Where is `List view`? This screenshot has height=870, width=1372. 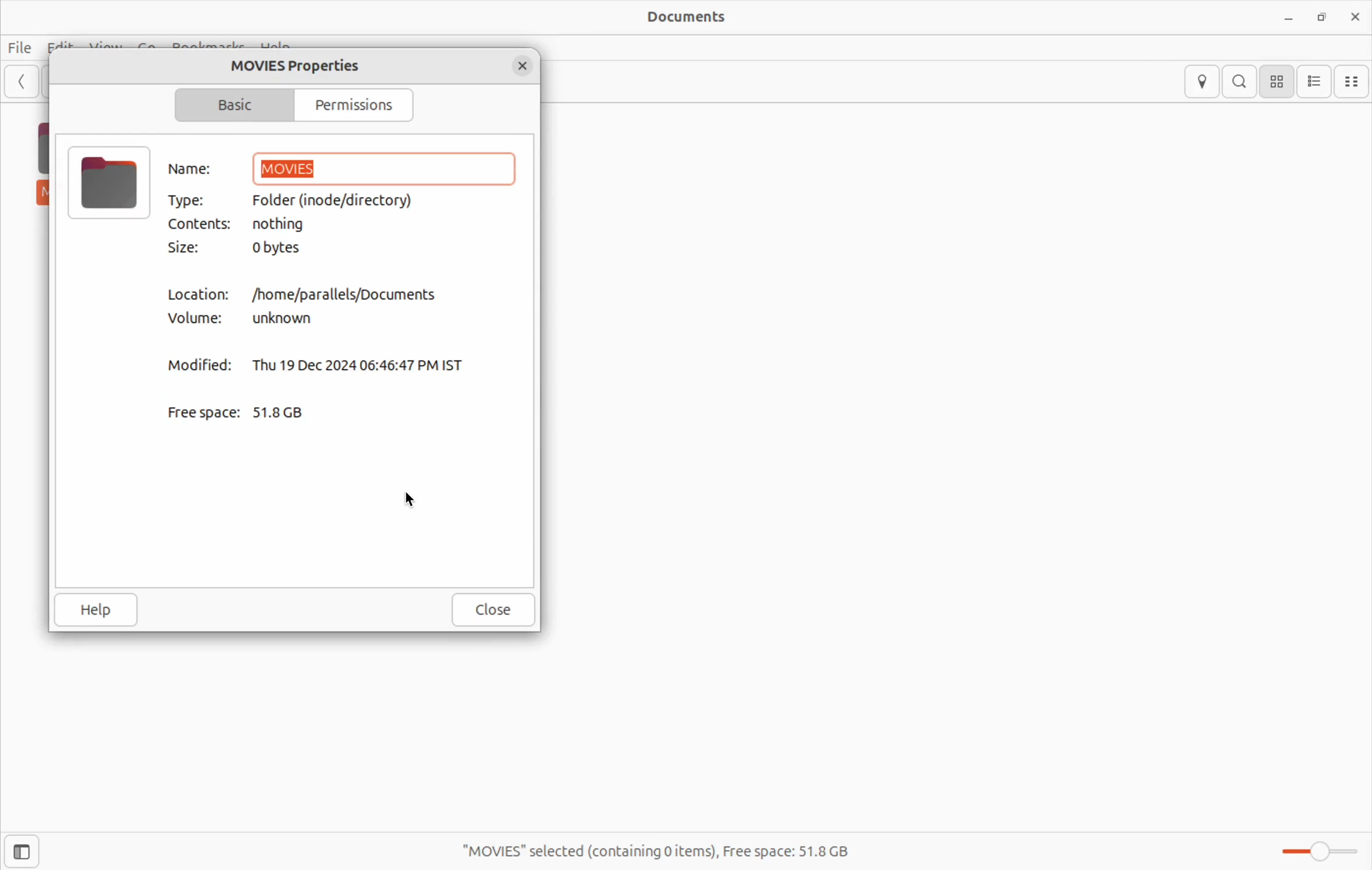 List view is located at coordinates (1317, 81).